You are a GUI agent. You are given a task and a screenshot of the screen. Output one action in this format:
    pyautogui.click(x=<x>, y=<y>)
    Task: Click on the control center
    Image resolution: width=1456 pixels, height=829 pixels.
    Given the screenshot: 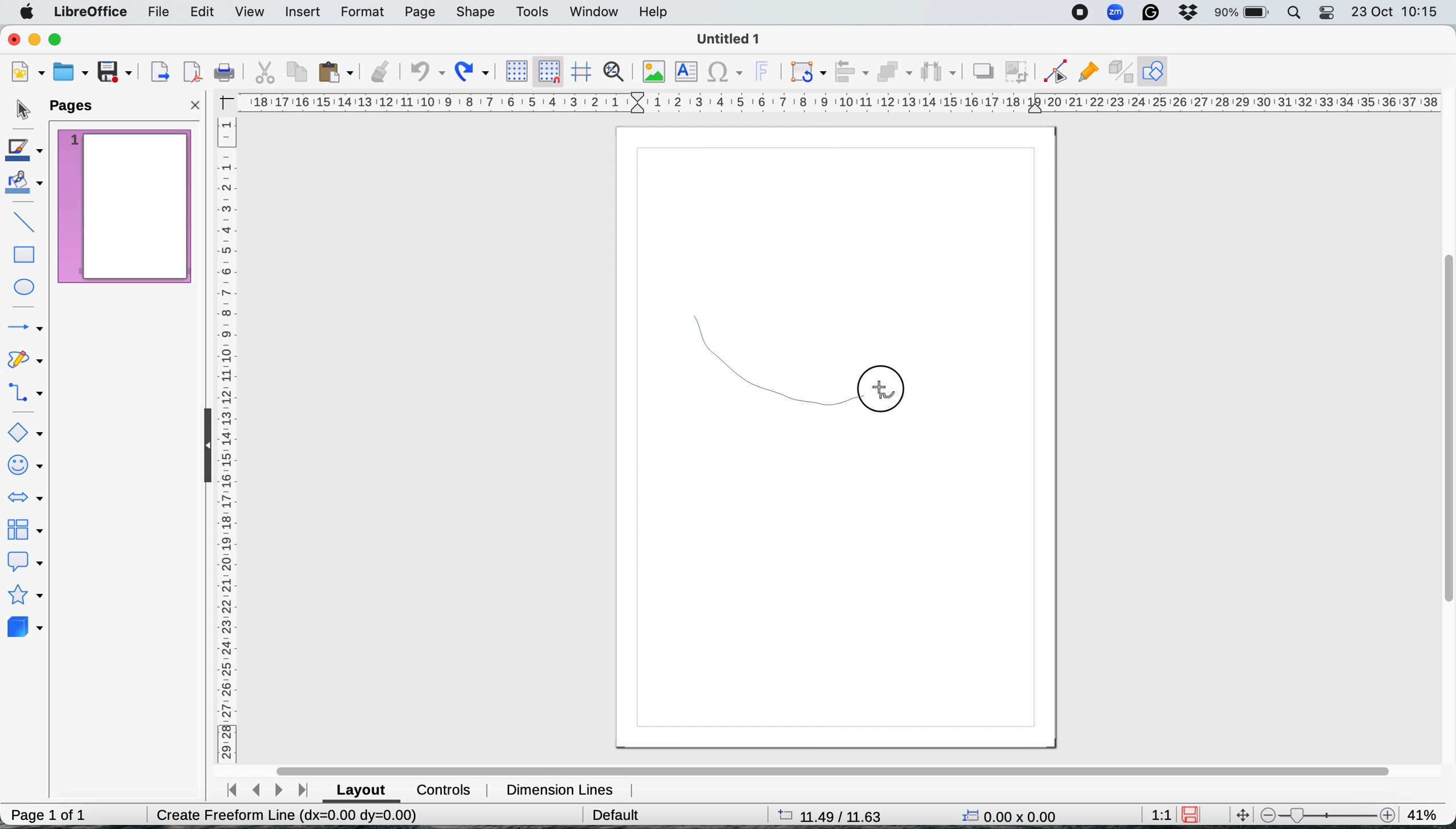 What is the action you would take?
    pyautogui.click(x=1328, y=16)
    